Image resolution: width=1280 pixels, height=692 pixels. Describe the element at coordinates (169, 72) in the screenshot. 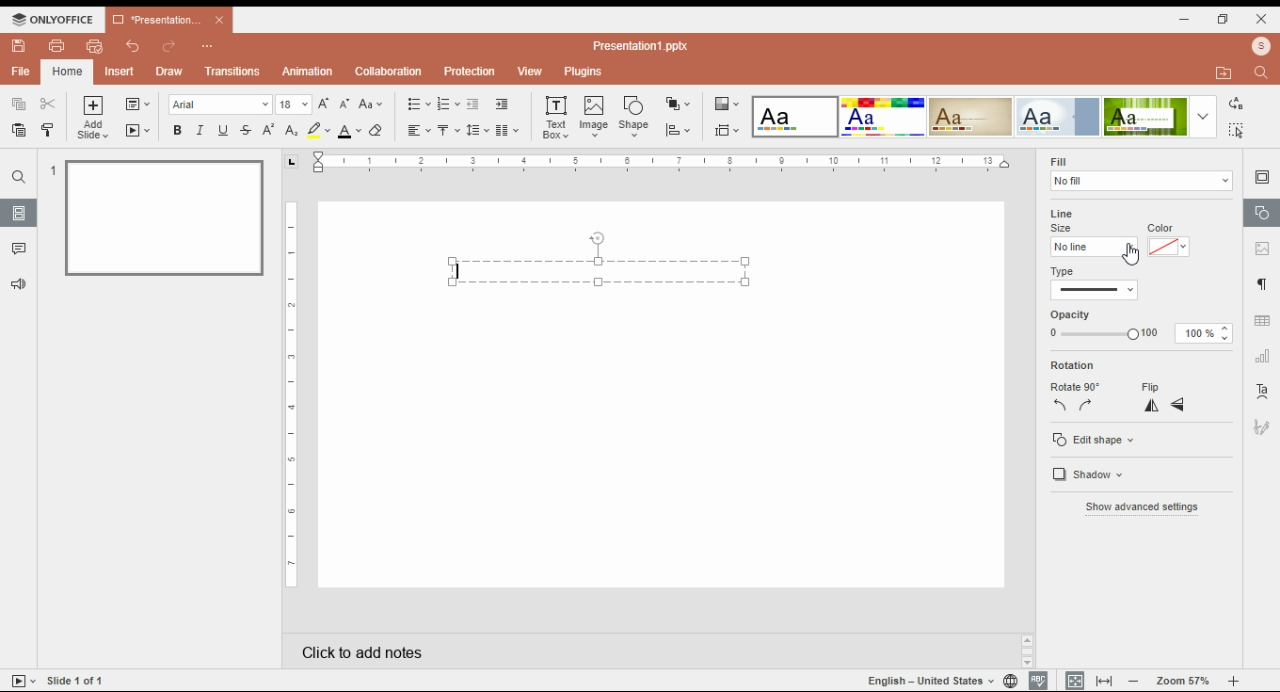

I see `draw` at that location.